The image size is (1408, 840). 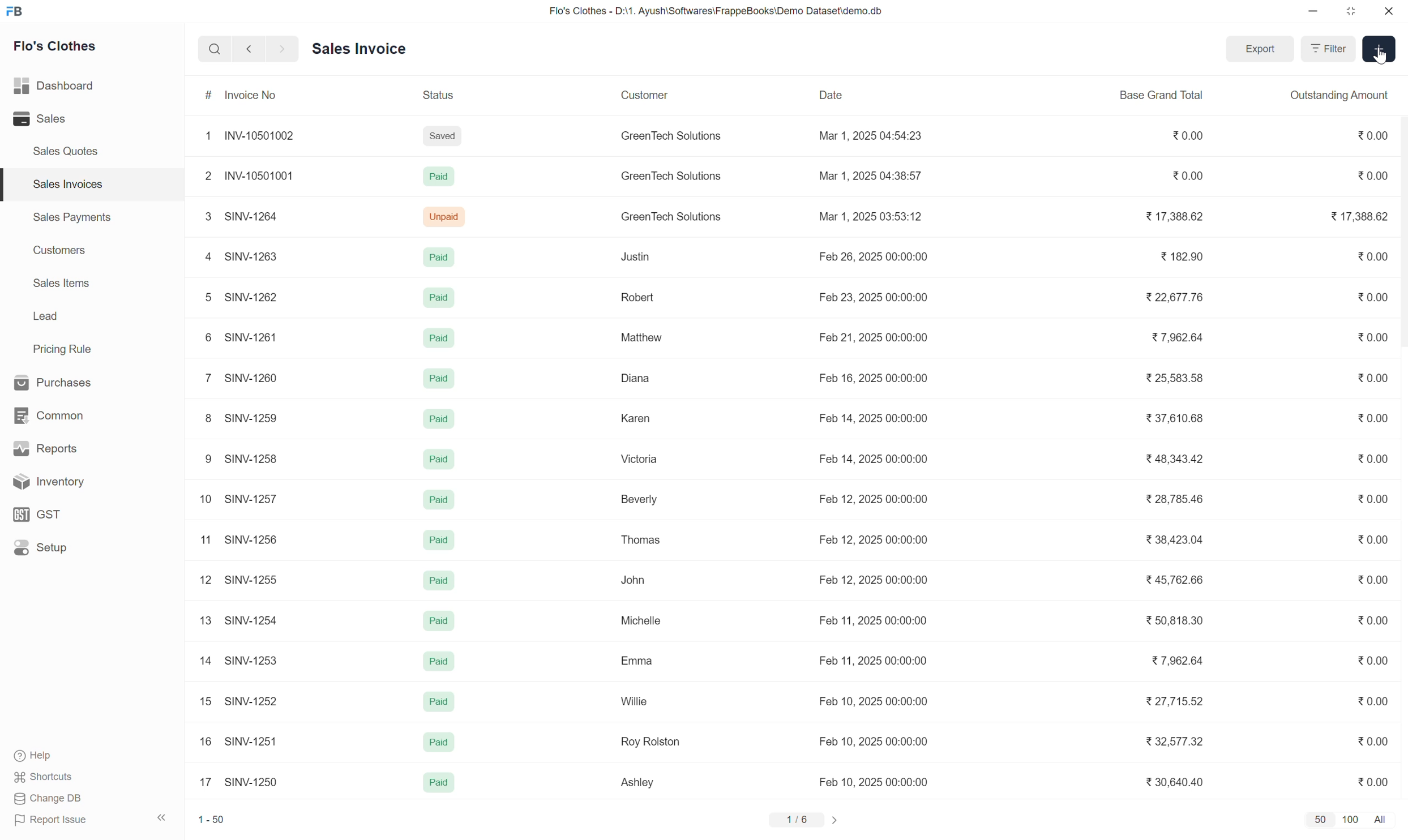 What do you see at coordinates (1381, 58) in the screenshot?
I see `cursor ` at bounding box center [1381, 58].